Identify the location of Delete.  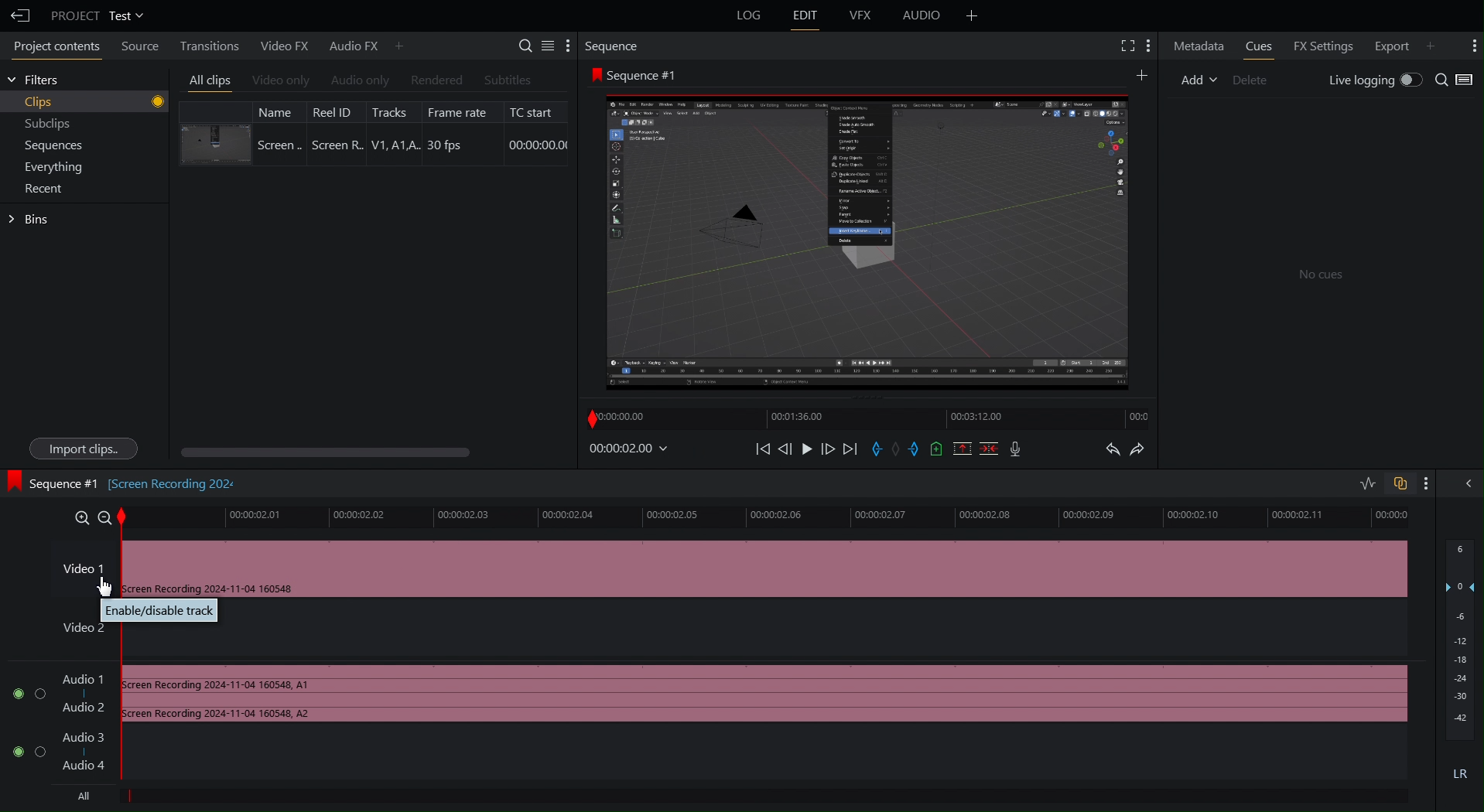
(1249, 78).